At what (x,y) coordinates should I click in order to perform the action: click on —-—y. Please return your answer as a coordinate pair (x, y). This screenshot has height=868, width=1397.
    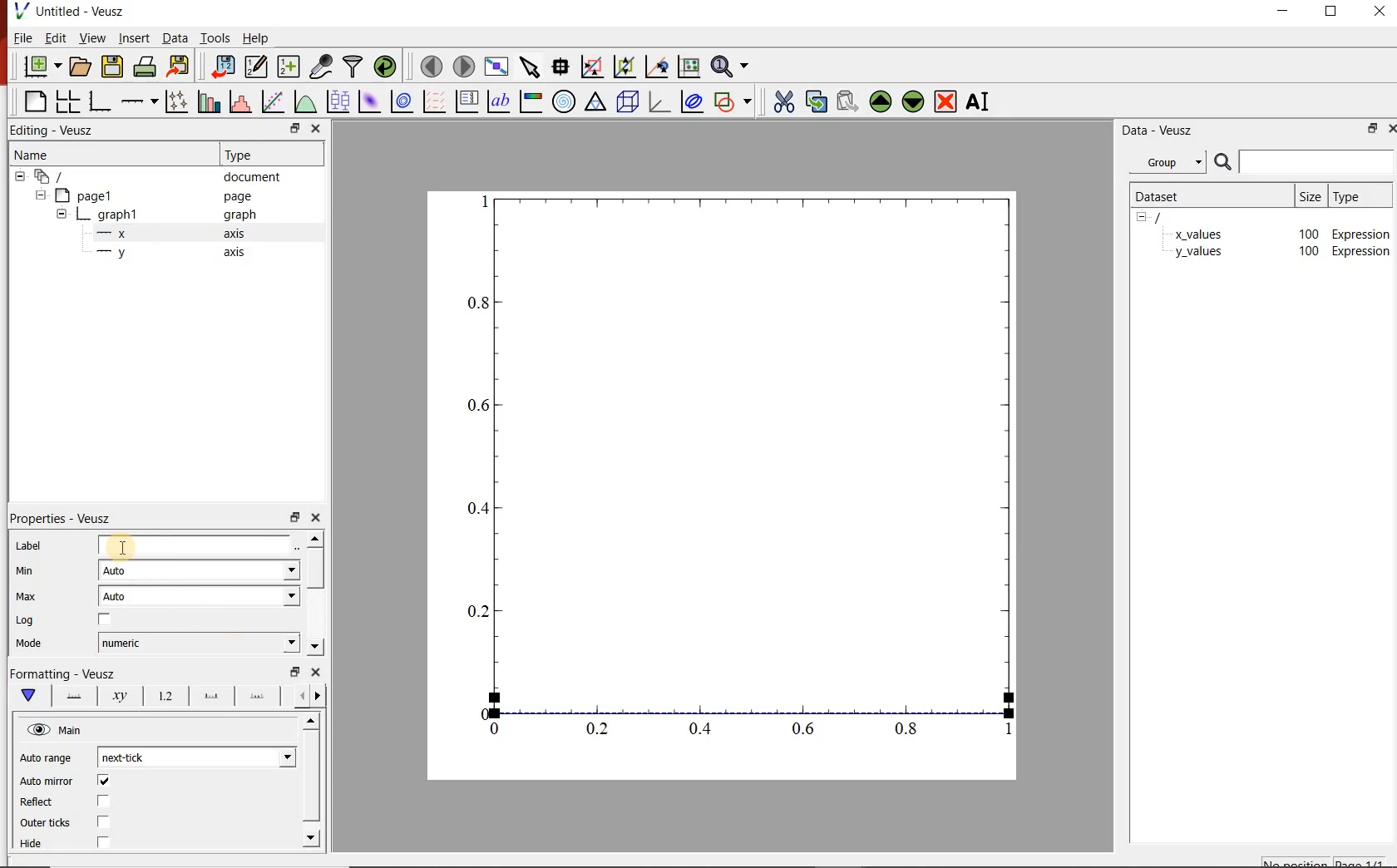
    Looking at the image, I should click on (111, 253).